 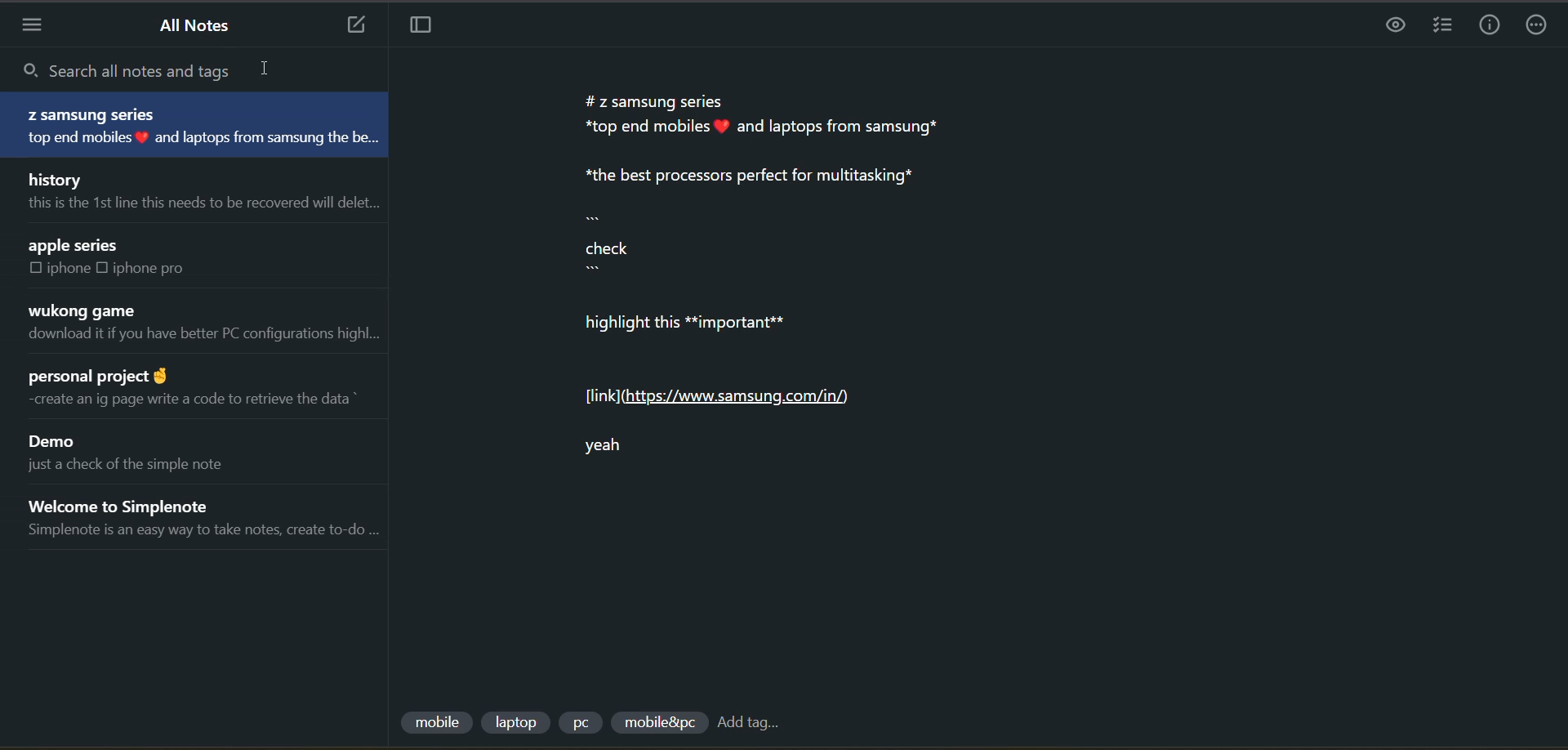 What do you see at coordinates (265, 68) in the screenshot?
I see `cursor` at bounding box center [265, 68].